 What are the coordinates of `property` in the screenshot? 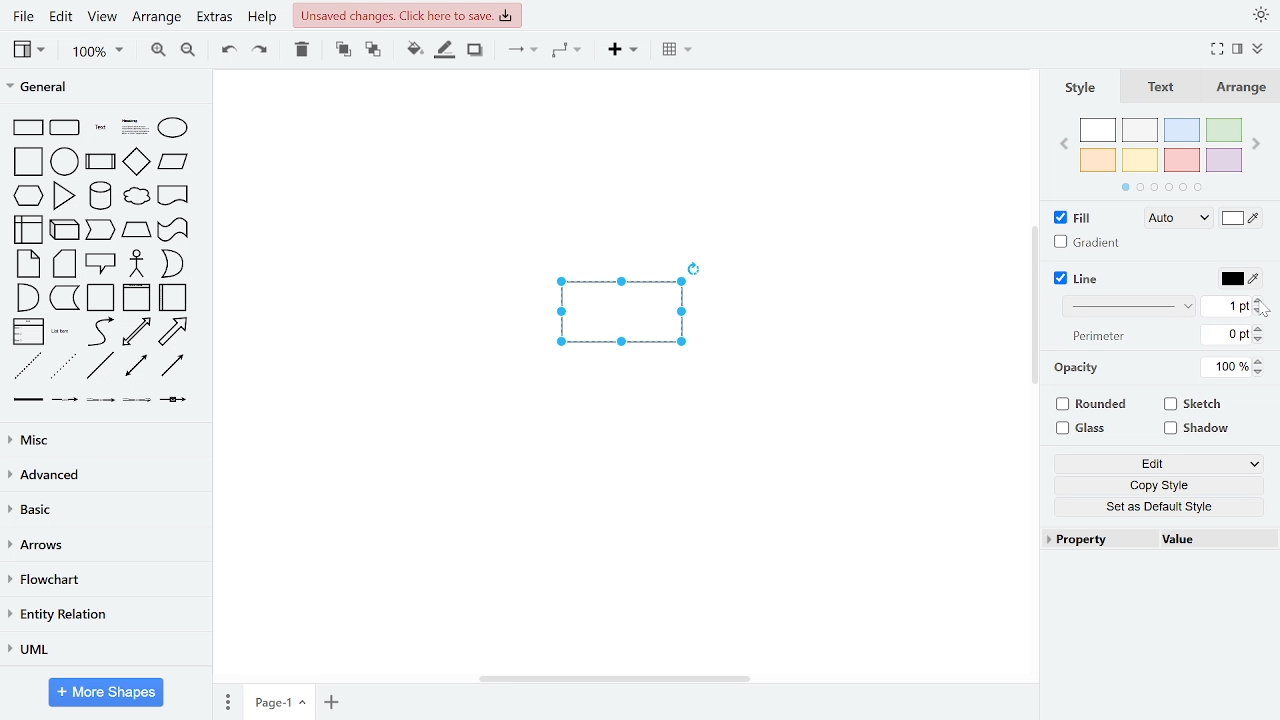 It's located at (1103, 541).